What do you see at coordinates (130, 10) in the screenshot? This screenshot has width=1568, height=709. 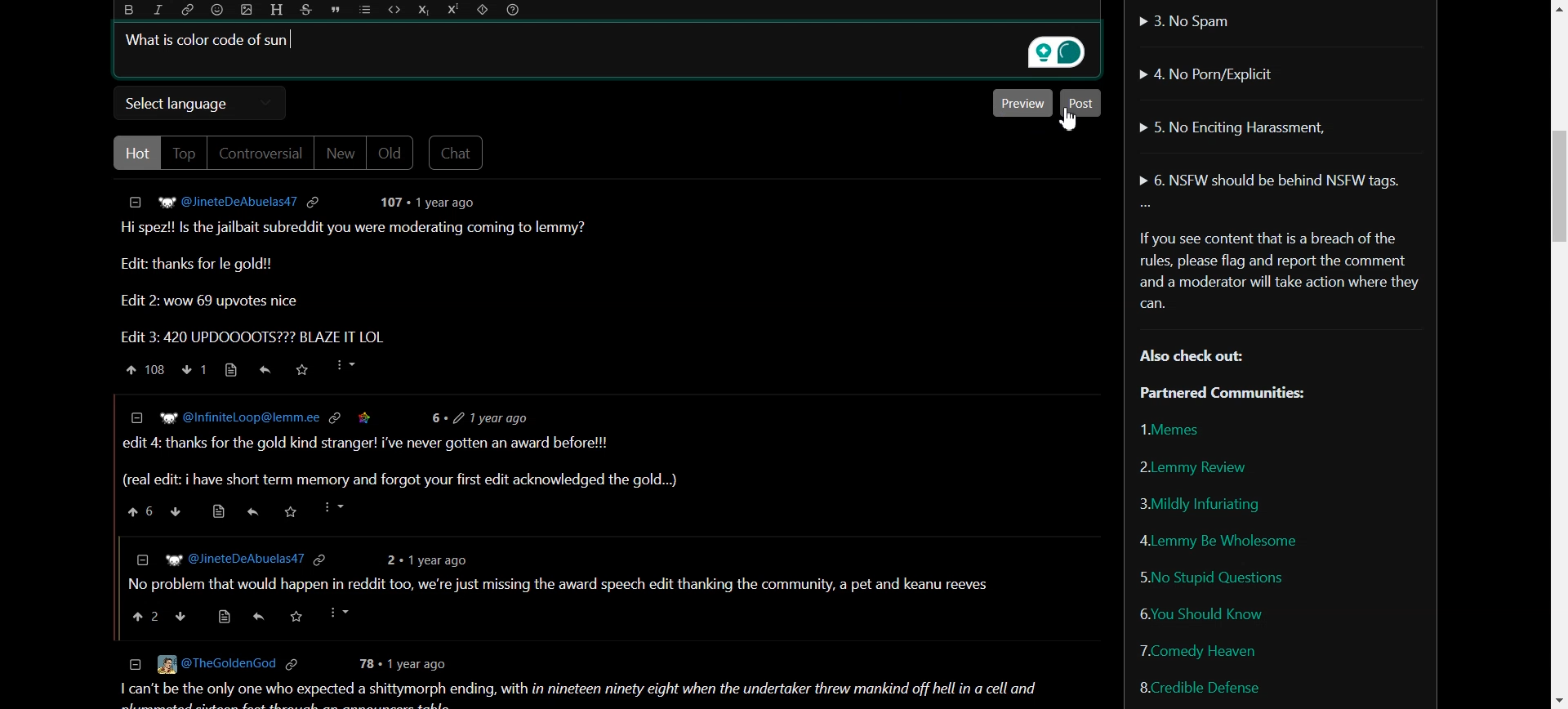 I see `Bold` at bounding box center [130, 10].